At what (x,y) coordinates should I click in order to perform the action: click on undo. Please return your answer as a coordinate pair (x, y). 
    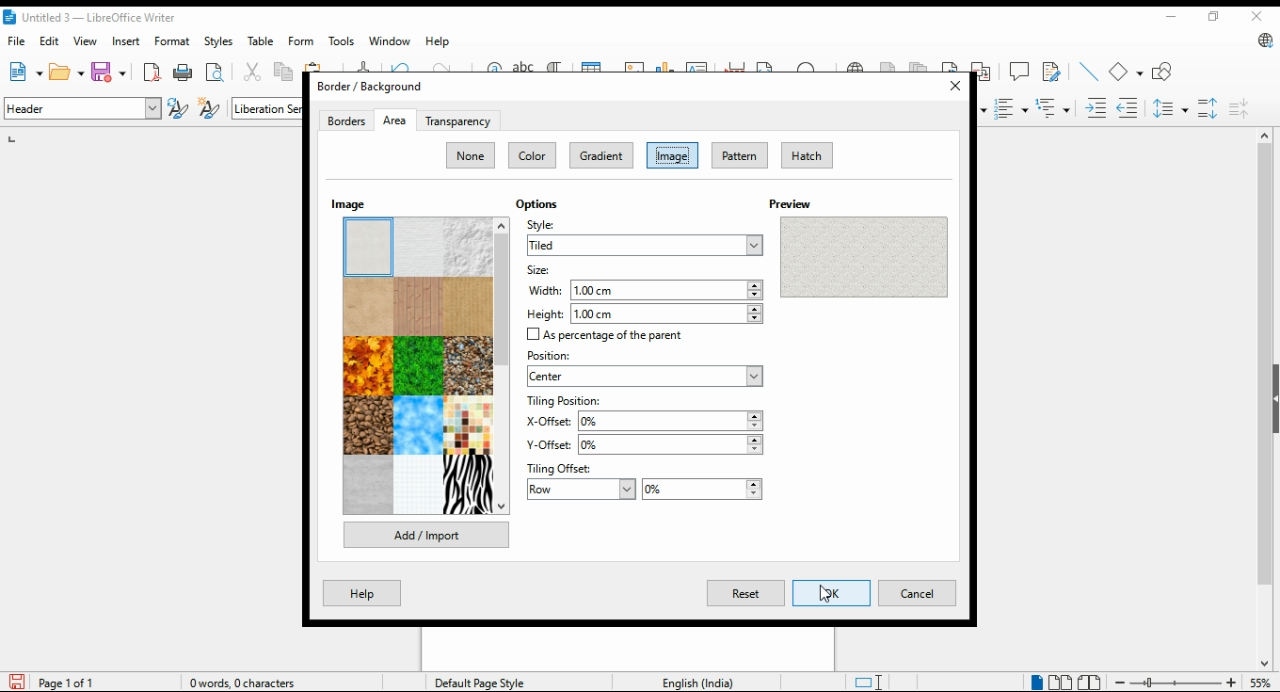
    Looking at the image, I should click on (406, 66).